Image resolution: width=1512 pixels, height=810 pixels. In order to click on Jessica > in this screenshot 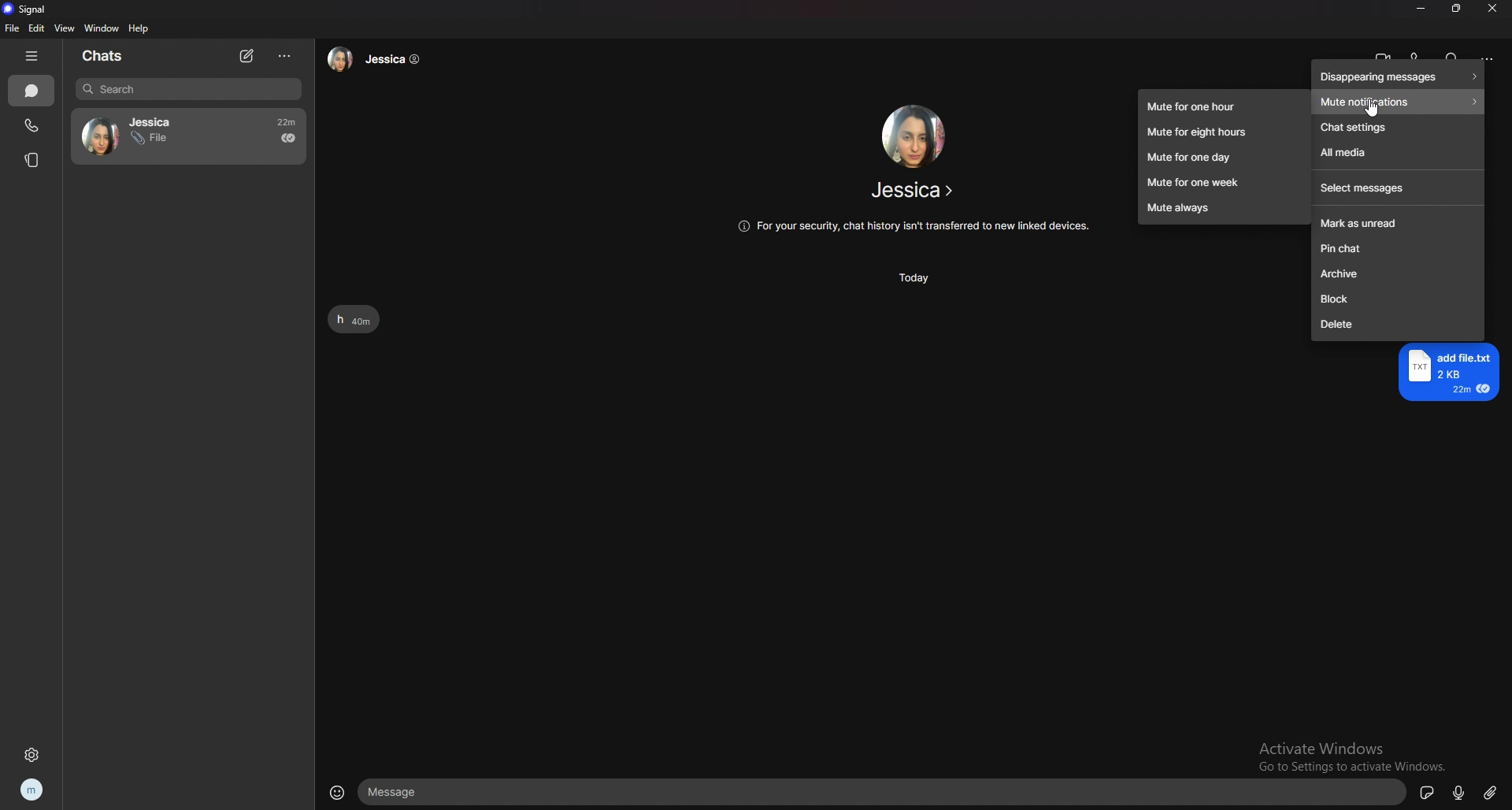, I will do `click(919, 193)`.